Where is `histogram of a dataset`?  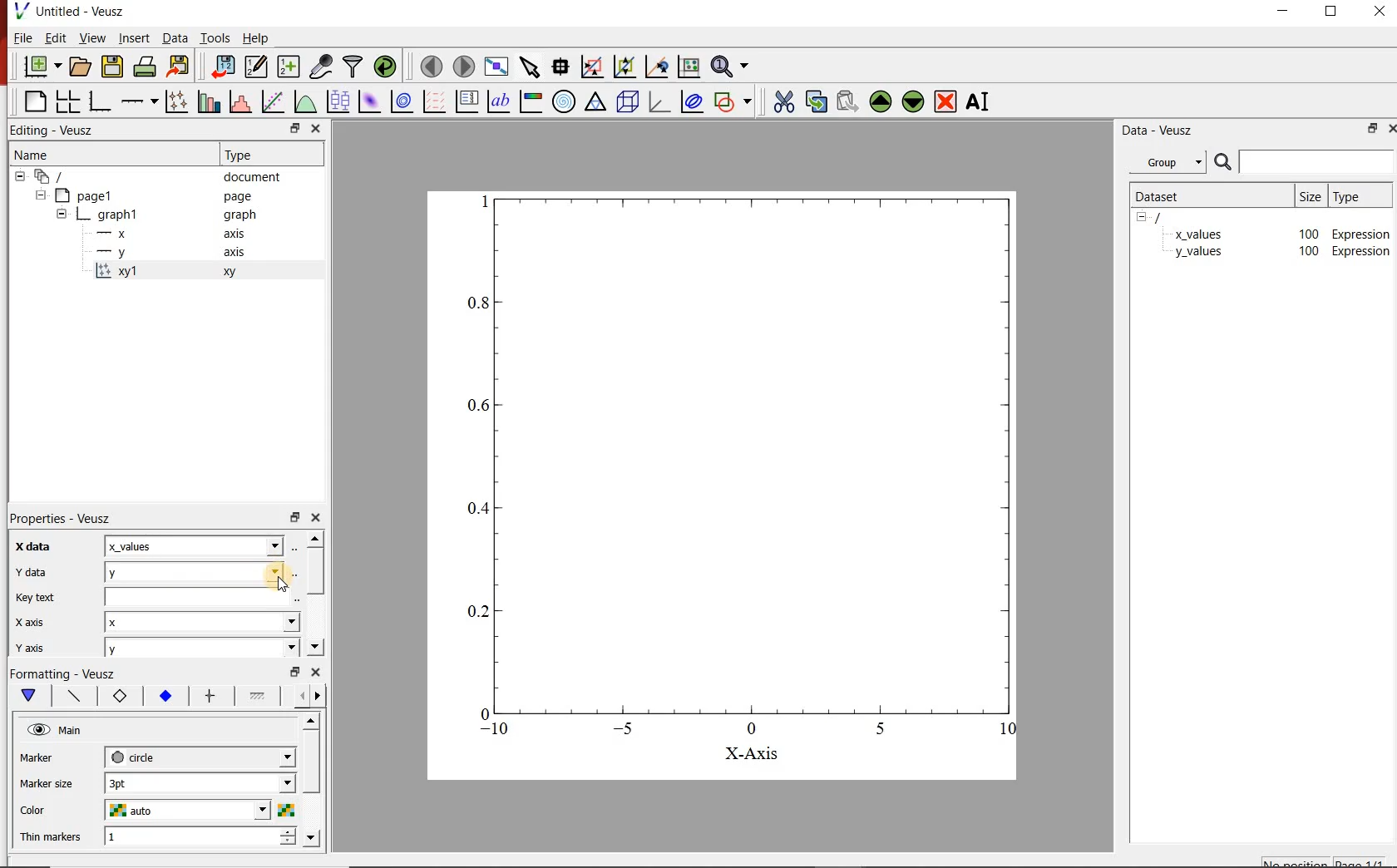 histogram of a dataset is located at coordinates (241, 102).